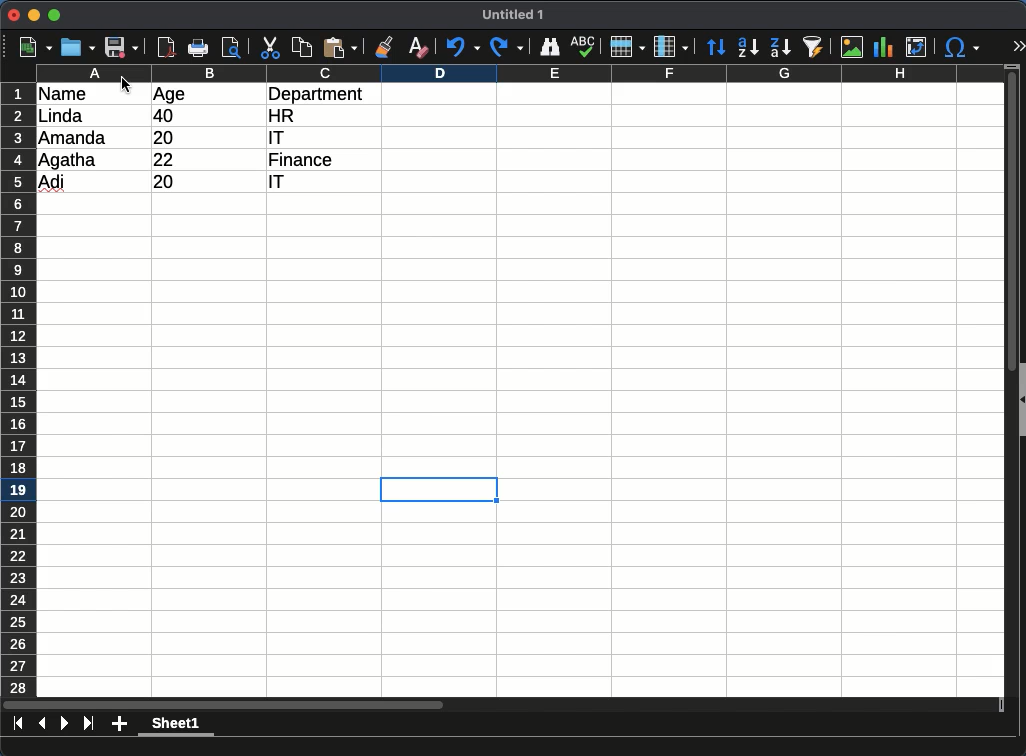 The image size is (1026, 756). Describe the element at coordinates (961, 47) in the screenshot. I see `special character` at that location.